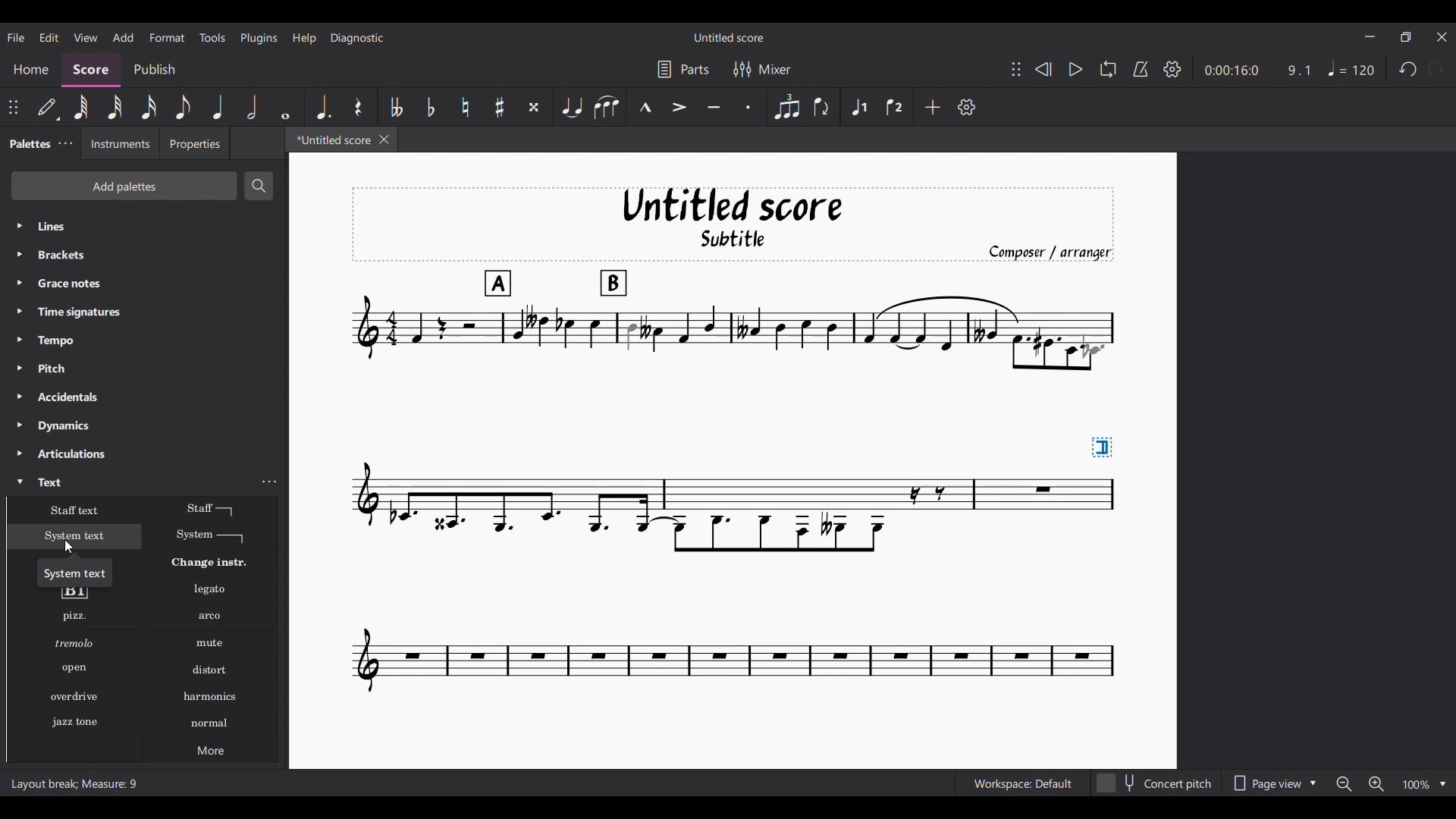 The height and width of the screenshot is (819, 1456). I want to click on Change position, so click(13, 107).